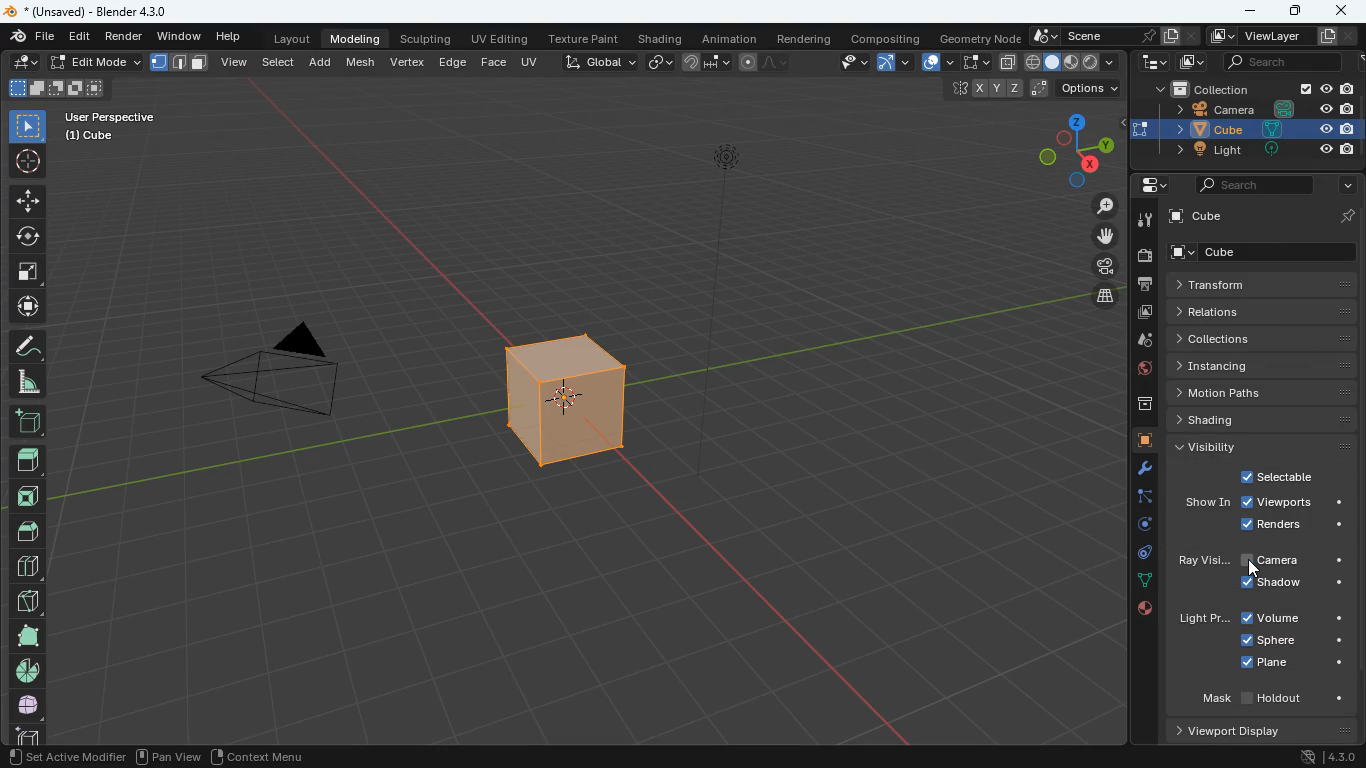  Describe the element at coordinates (935, 63) in the screenshot. I see `overlap` at that location.